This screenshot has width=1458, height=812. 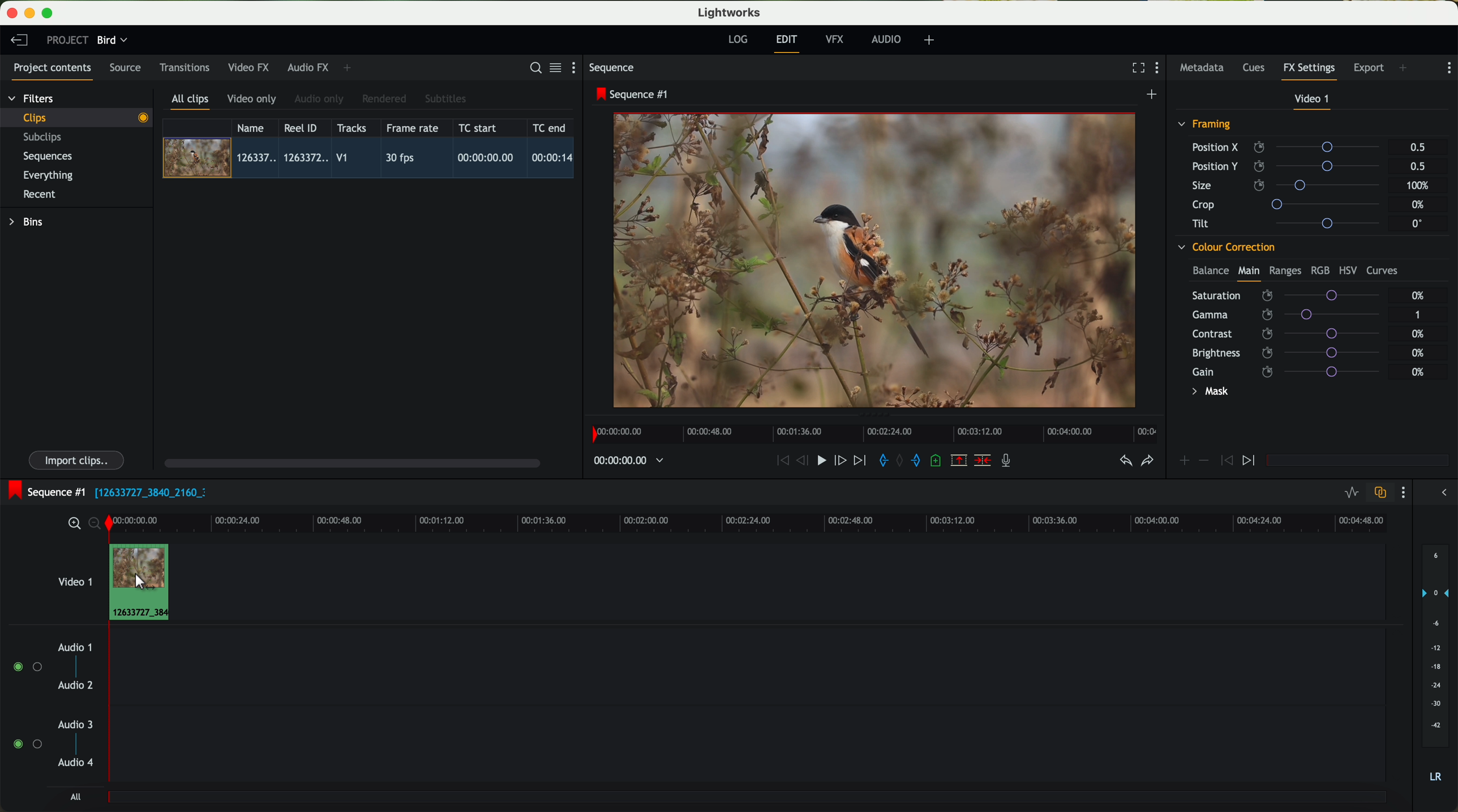 What do you see at coordinates (146, 491) in the screenshot?
I see `black` at bounding box center [146, 491].